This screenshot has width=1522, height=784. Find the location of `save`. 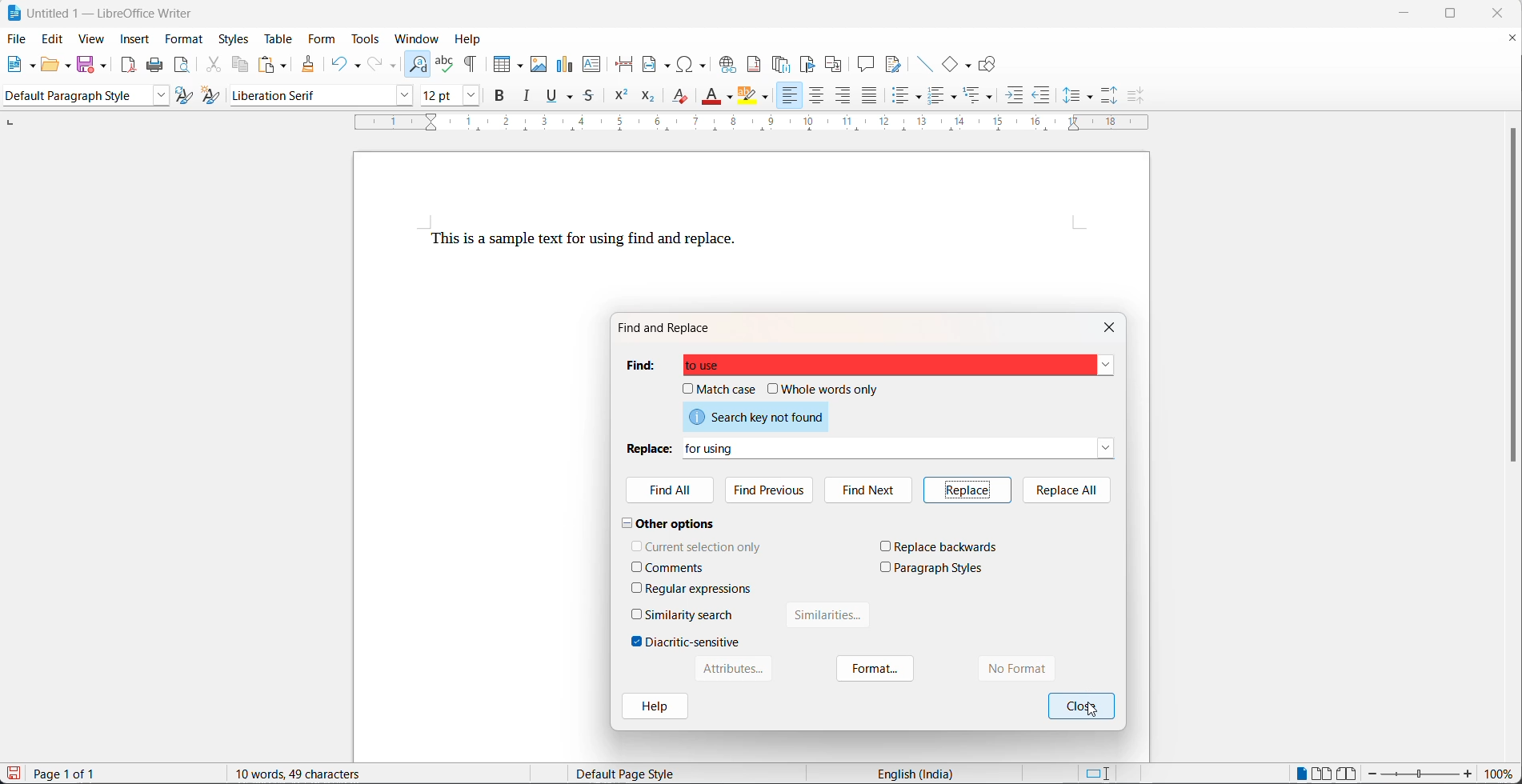

save is located at coordinates (86, 63).